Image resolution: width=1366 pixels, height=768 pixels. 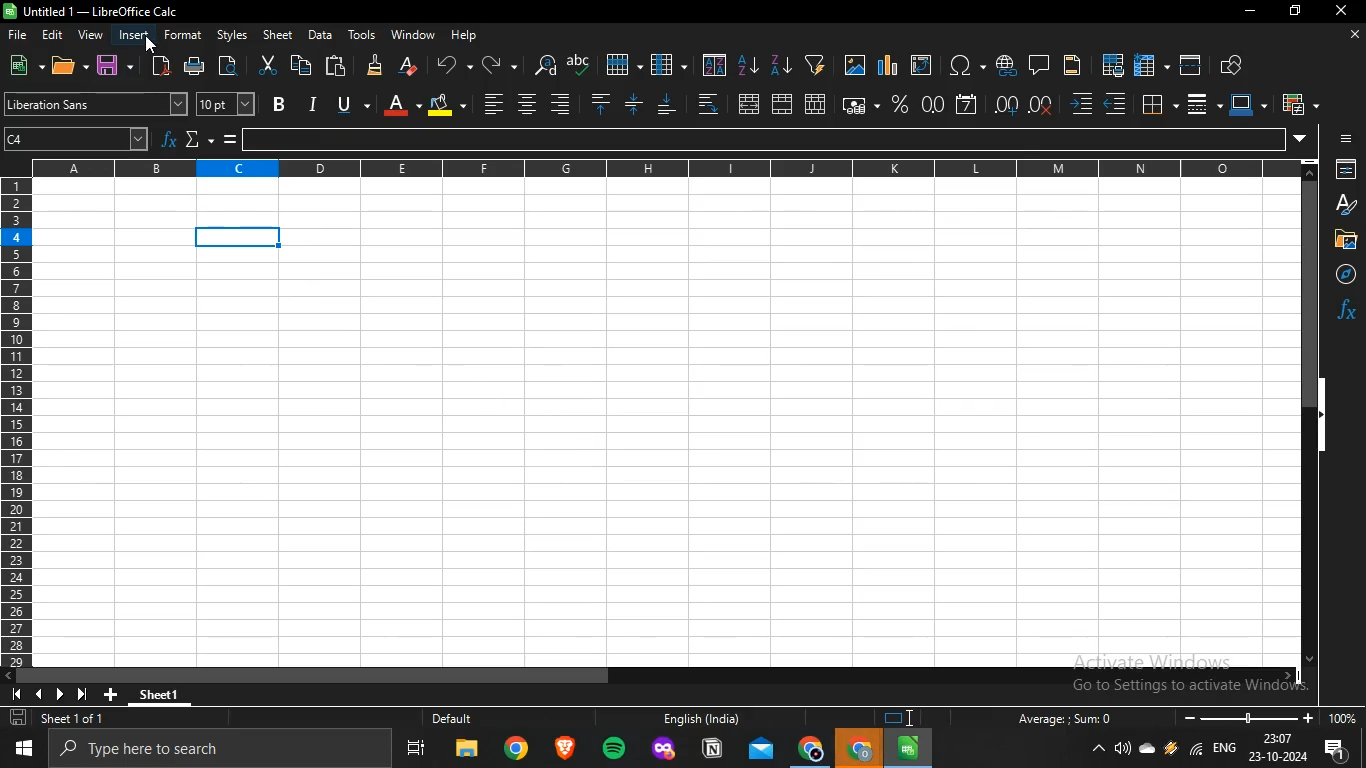 What do you see at coordinates (467, 752) in the screenshot?
I see `file explorer` at bounding box center [467, 752].